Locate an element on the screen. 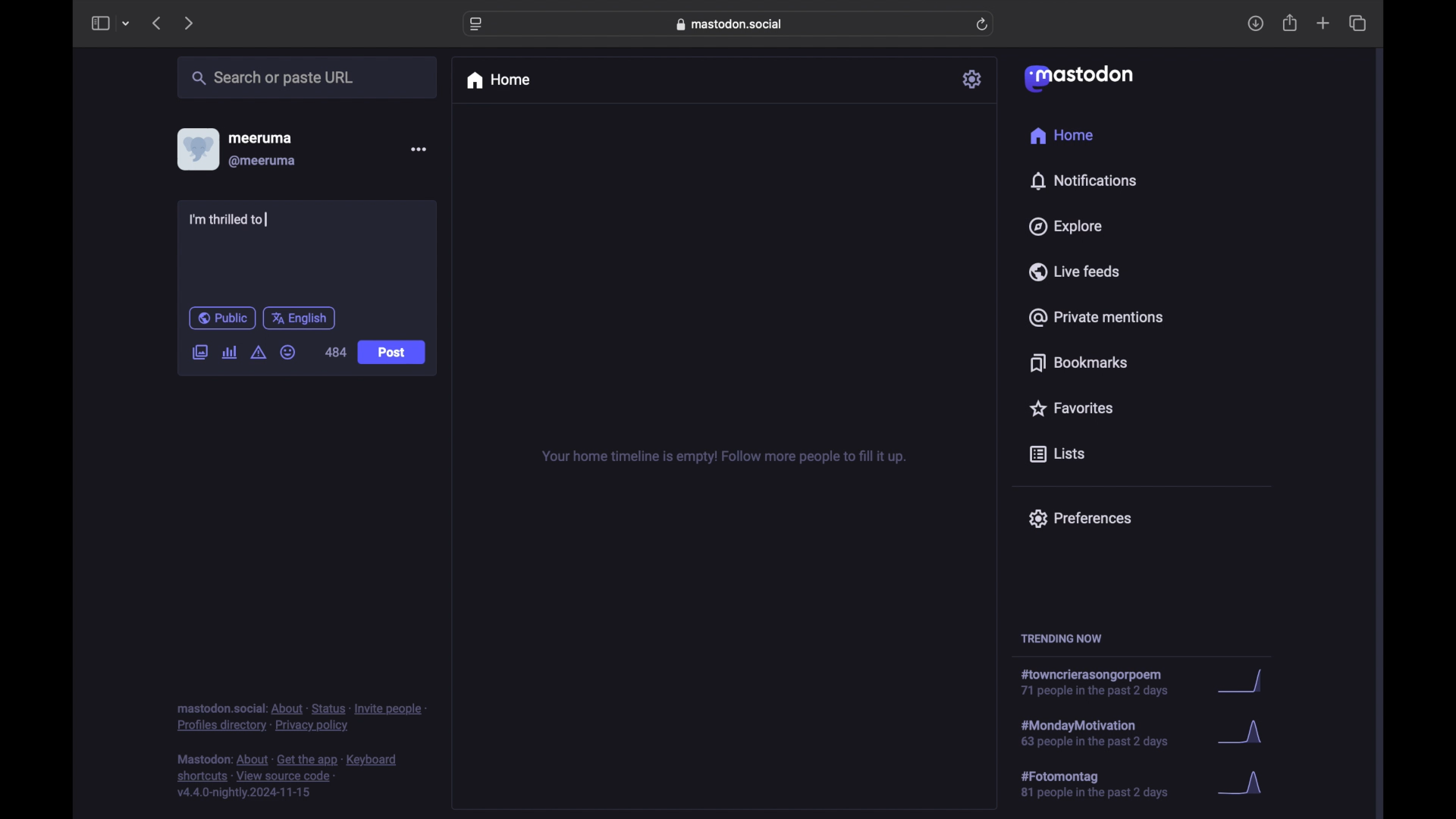  settings is located at coordinates (973, 79).